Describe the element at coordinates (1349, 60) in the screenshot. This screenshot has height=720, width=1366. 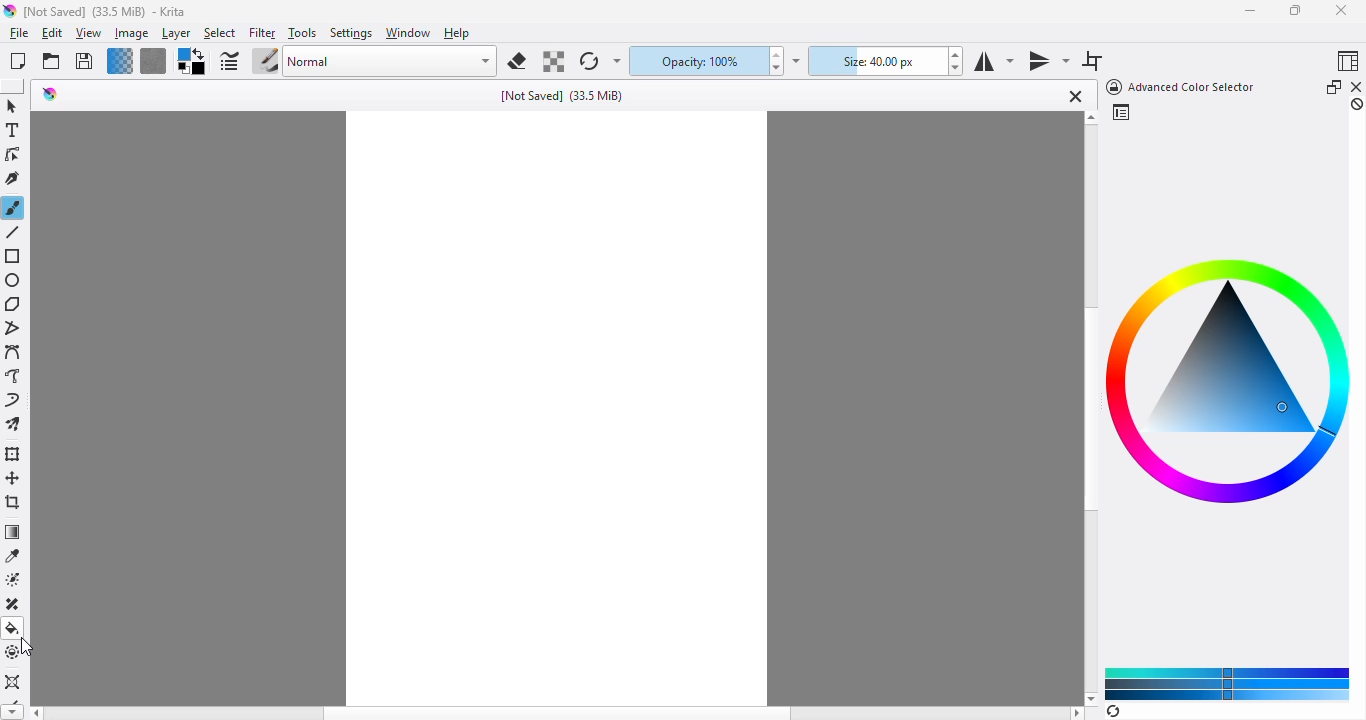
I see `choose workspace` at that location.